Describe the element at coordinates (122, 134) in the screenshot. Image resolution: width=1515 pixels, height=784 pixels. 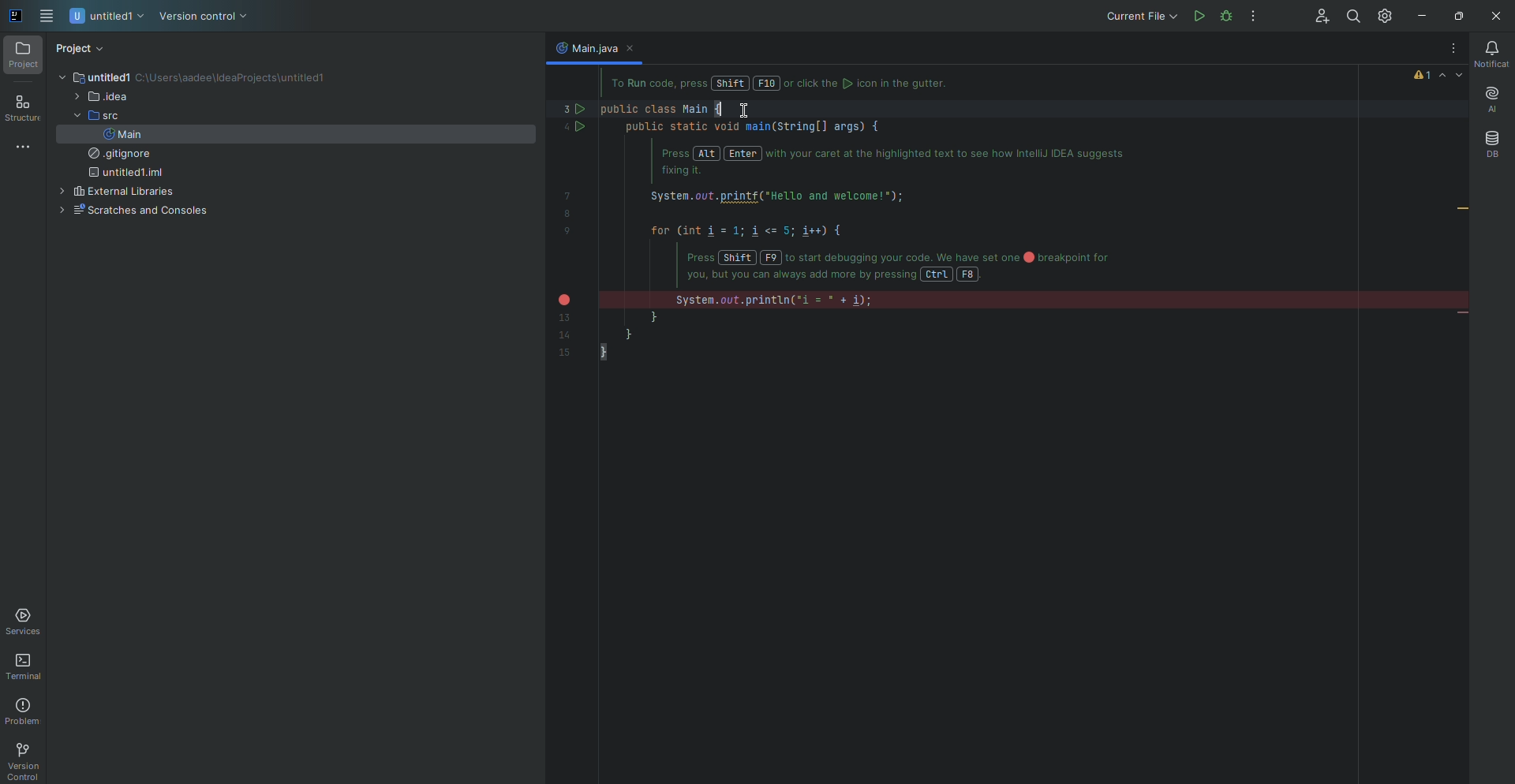
I see `Main` at that location.